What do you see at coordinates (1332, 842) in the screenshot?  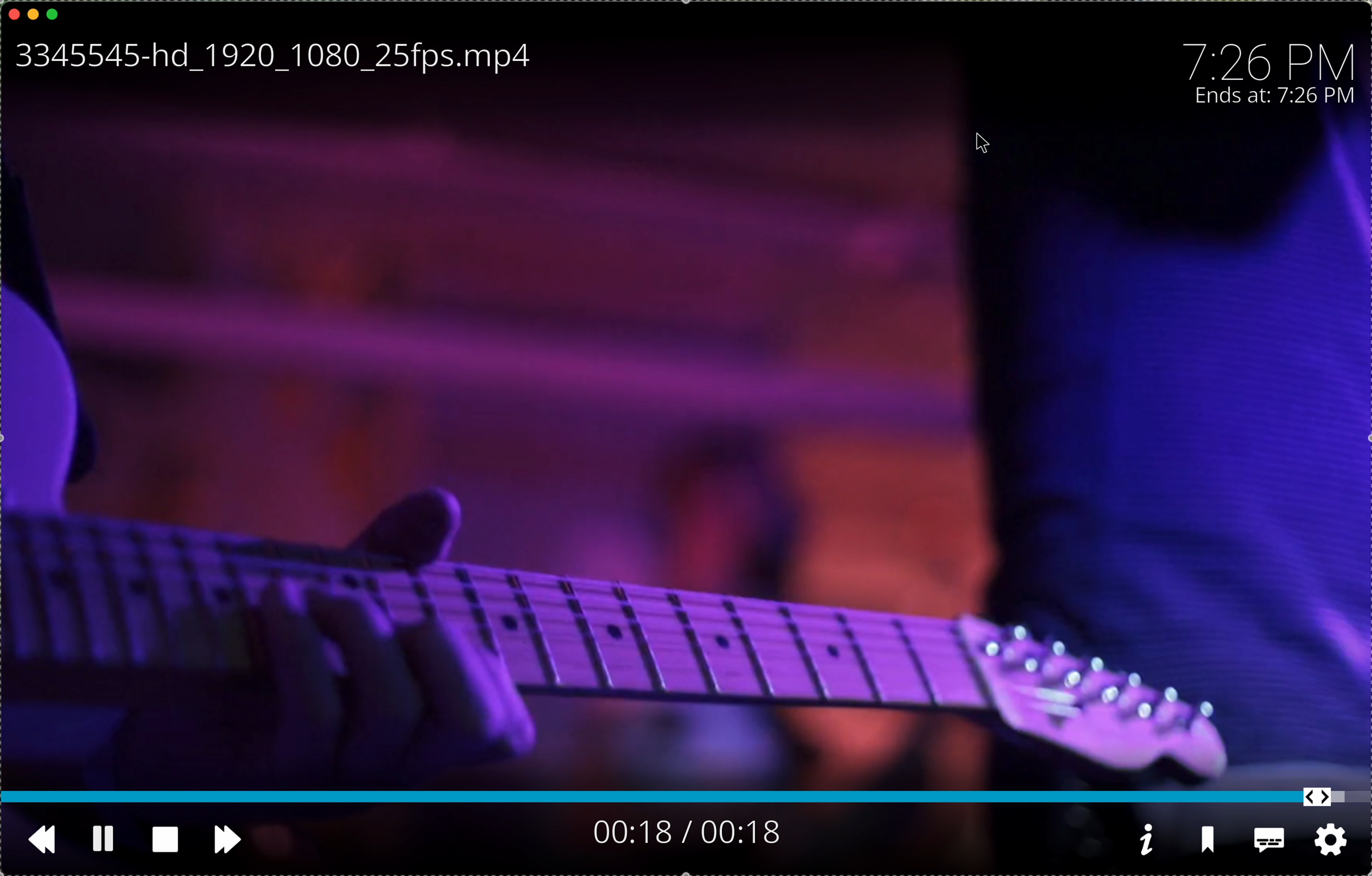 I see `click on settings` at bounding box center [1332, 842].